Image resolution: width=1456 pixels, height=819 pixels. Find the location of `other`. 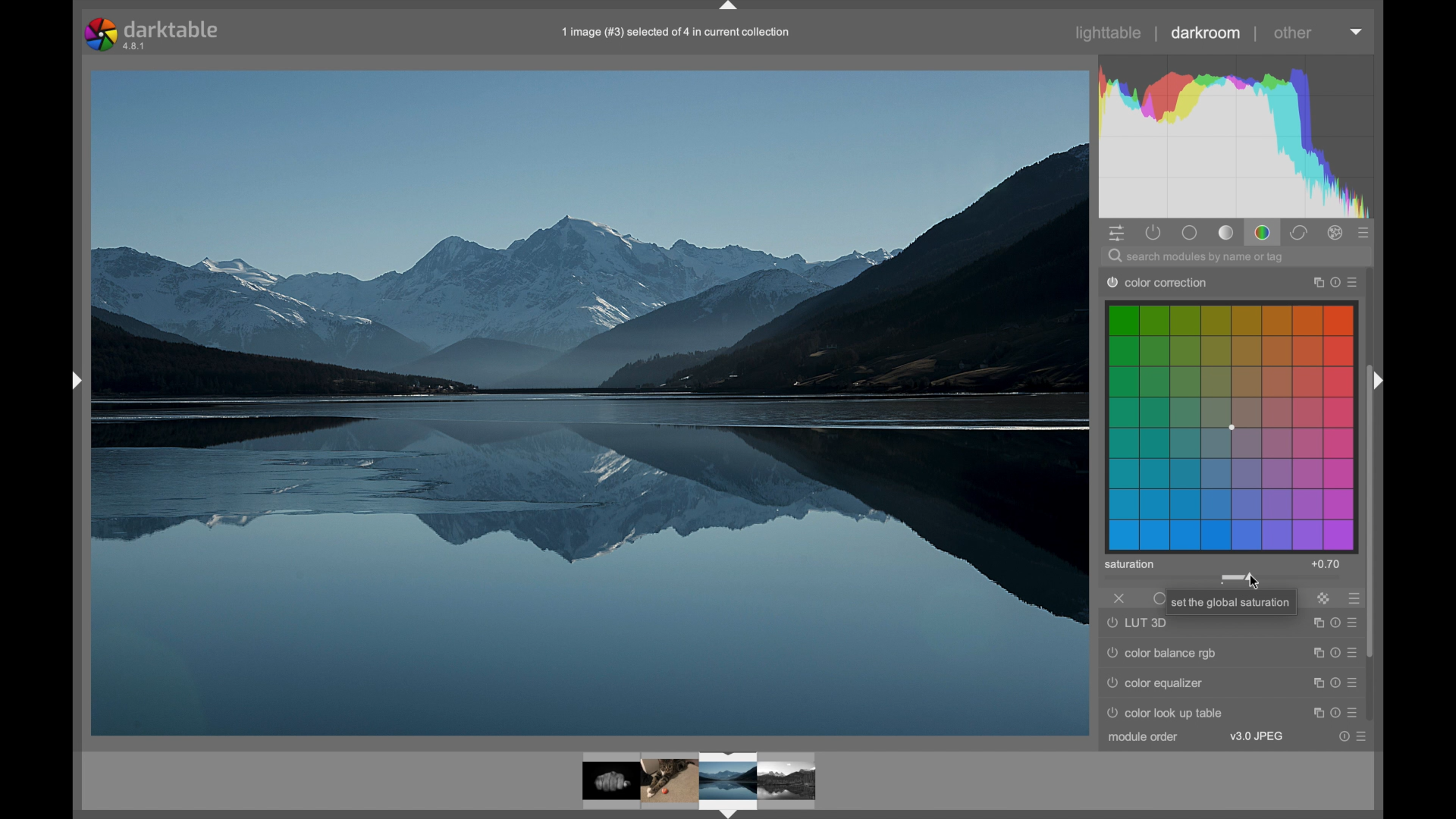

other is located at coordinates (1293, 34).